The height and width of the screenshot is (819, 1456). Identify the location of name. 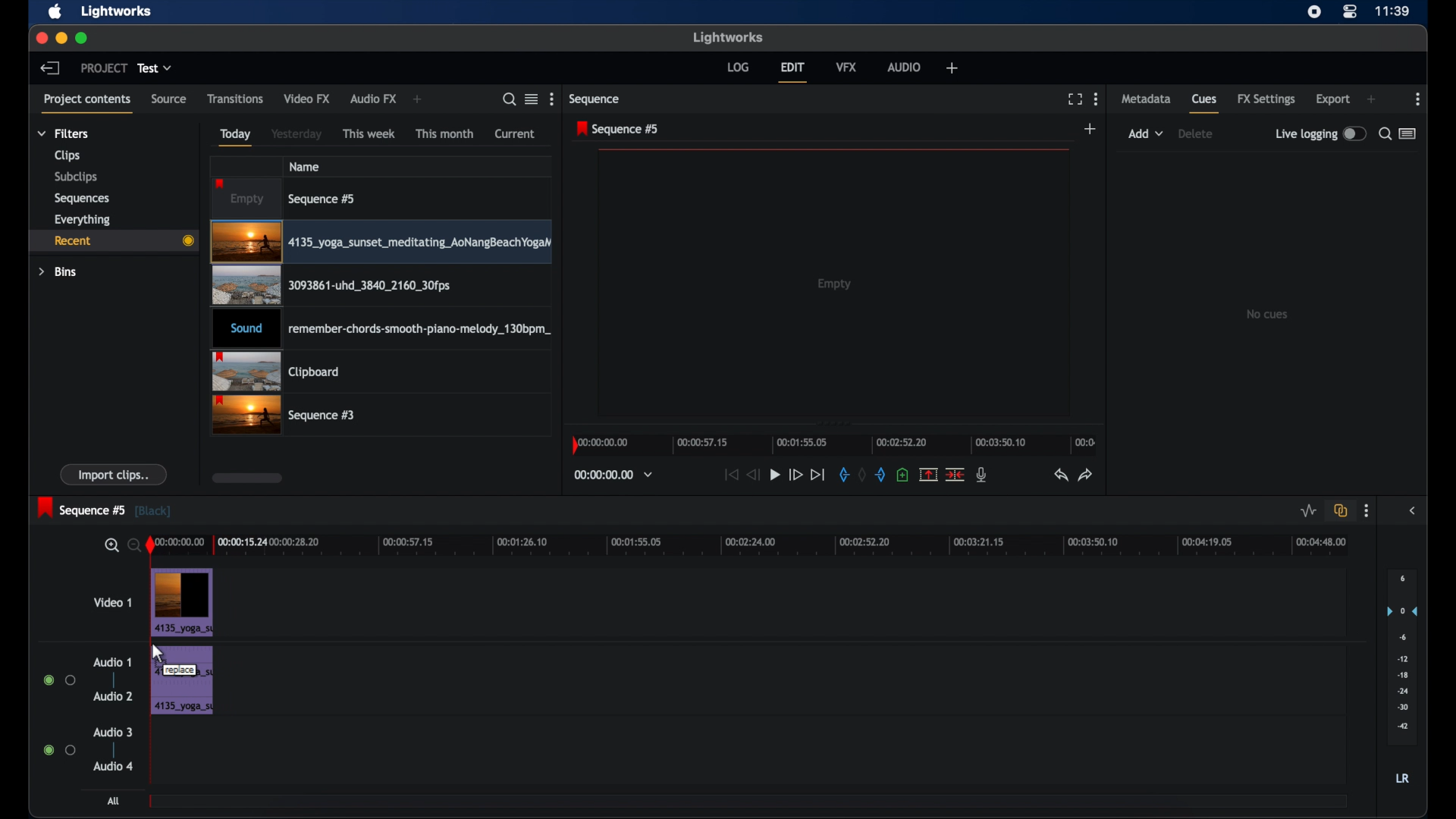
(306, 166).